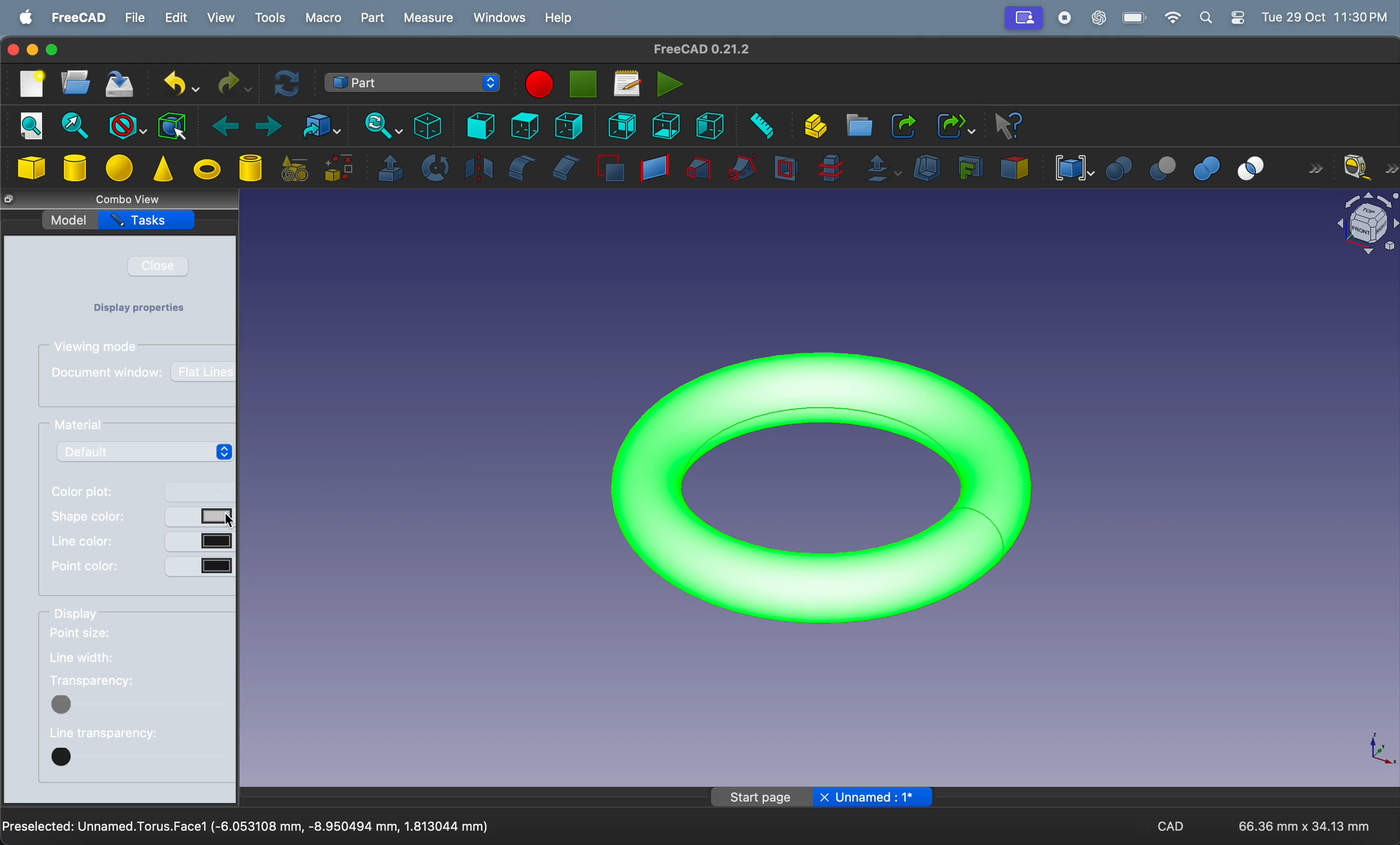  I want to click on section, so click(786, 168).